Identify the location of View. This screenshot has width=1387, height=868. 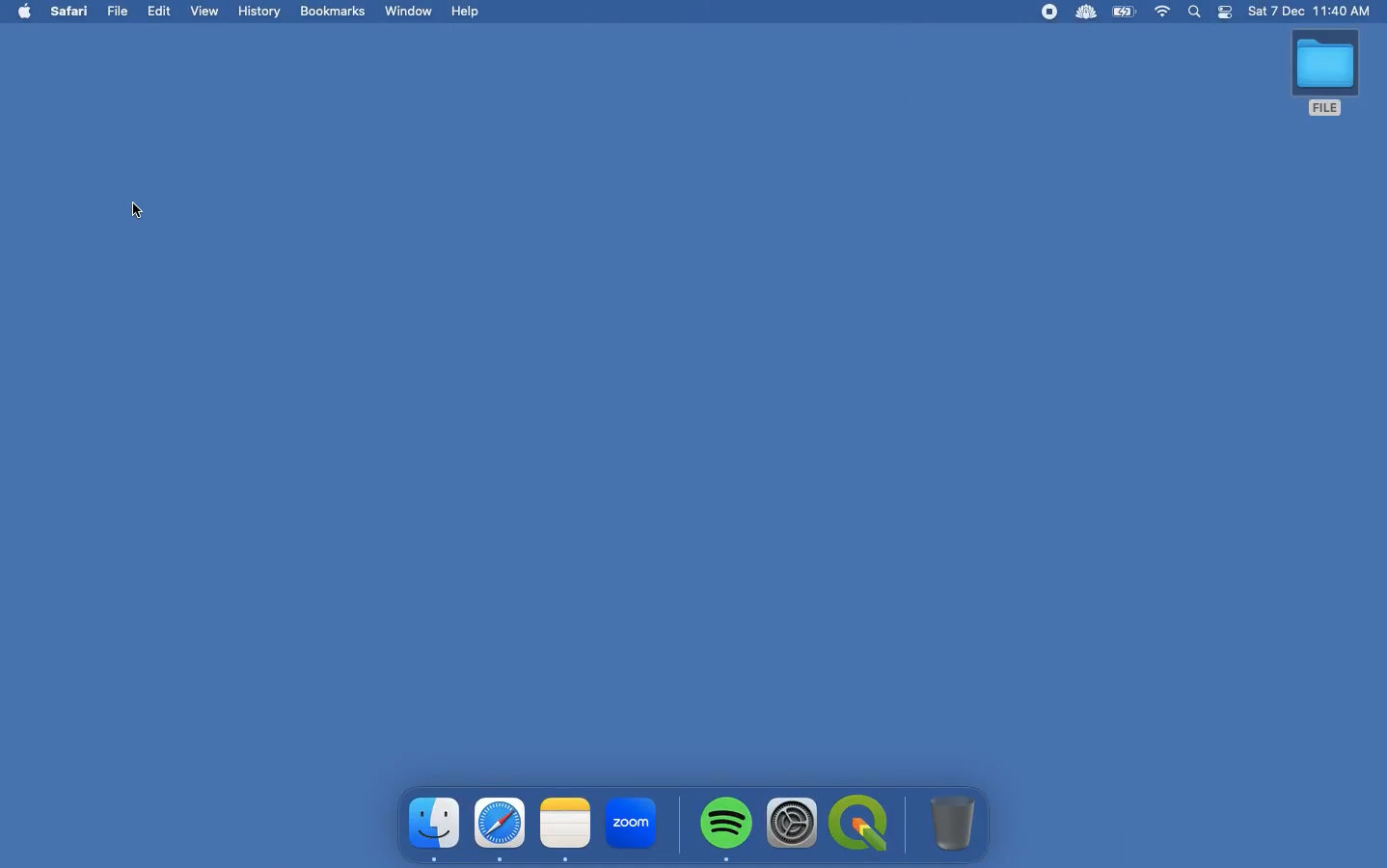
(204, 14).